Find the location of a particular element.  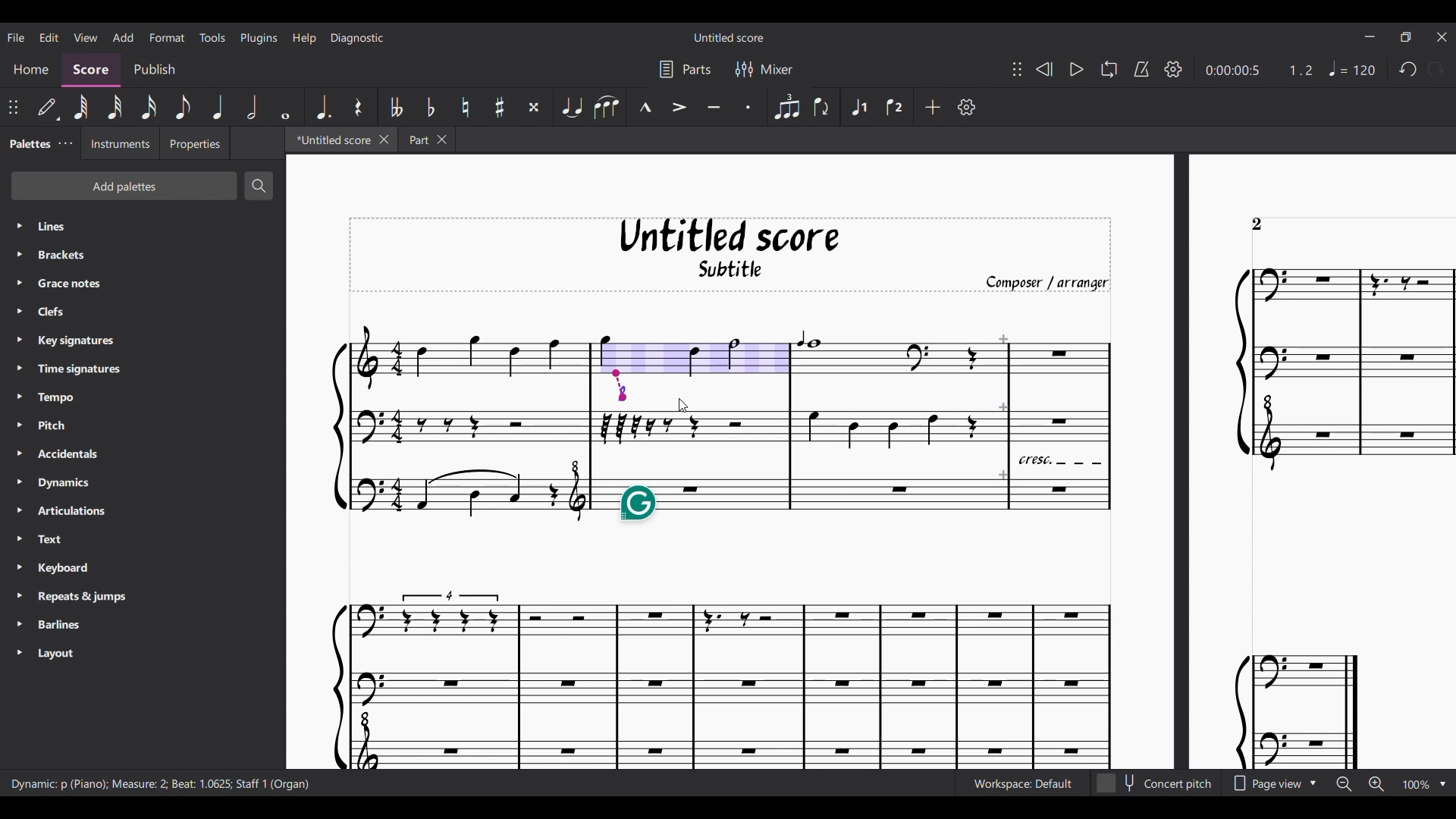

16th note is located at coordinates (149, 107).